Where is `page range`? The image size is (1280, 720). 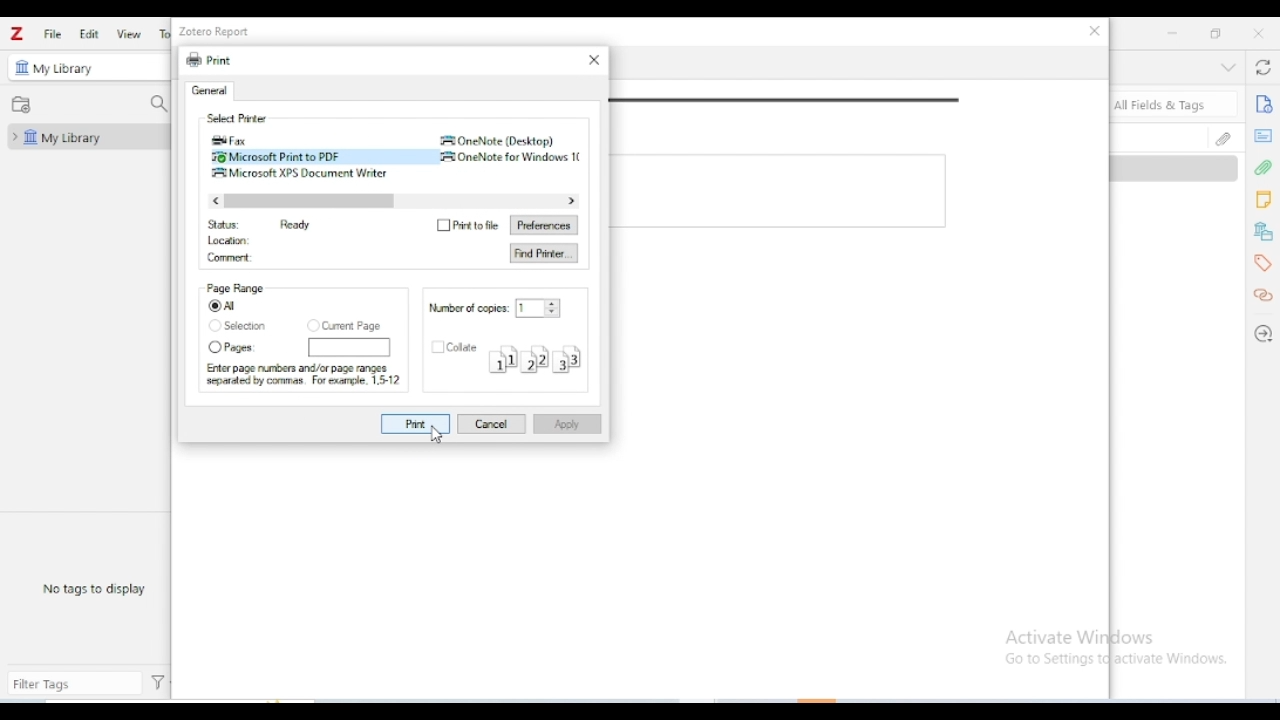 page range is located at coordinates (234, 289).